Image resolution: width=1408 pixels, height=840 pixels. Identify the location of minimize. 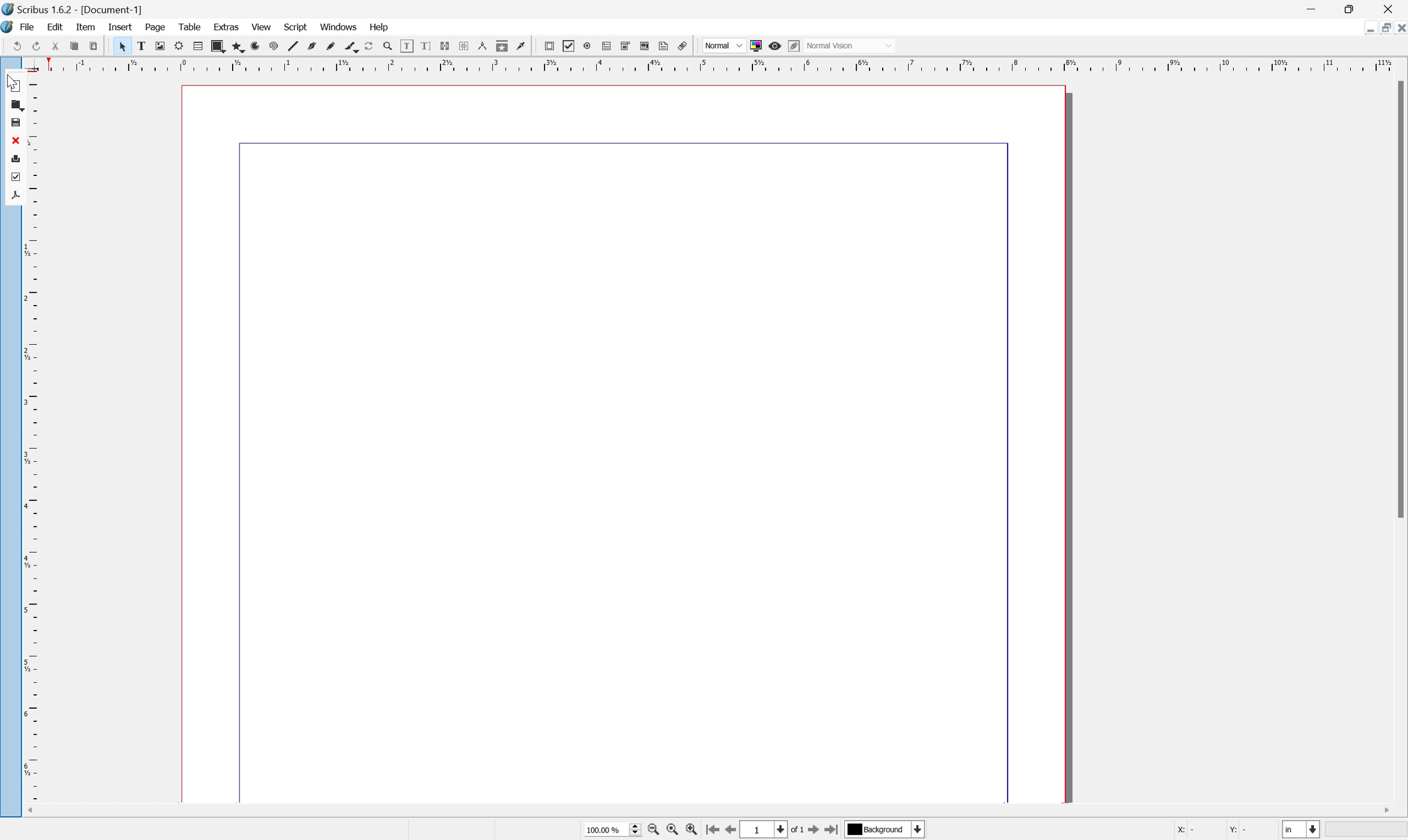
(1370, 28).